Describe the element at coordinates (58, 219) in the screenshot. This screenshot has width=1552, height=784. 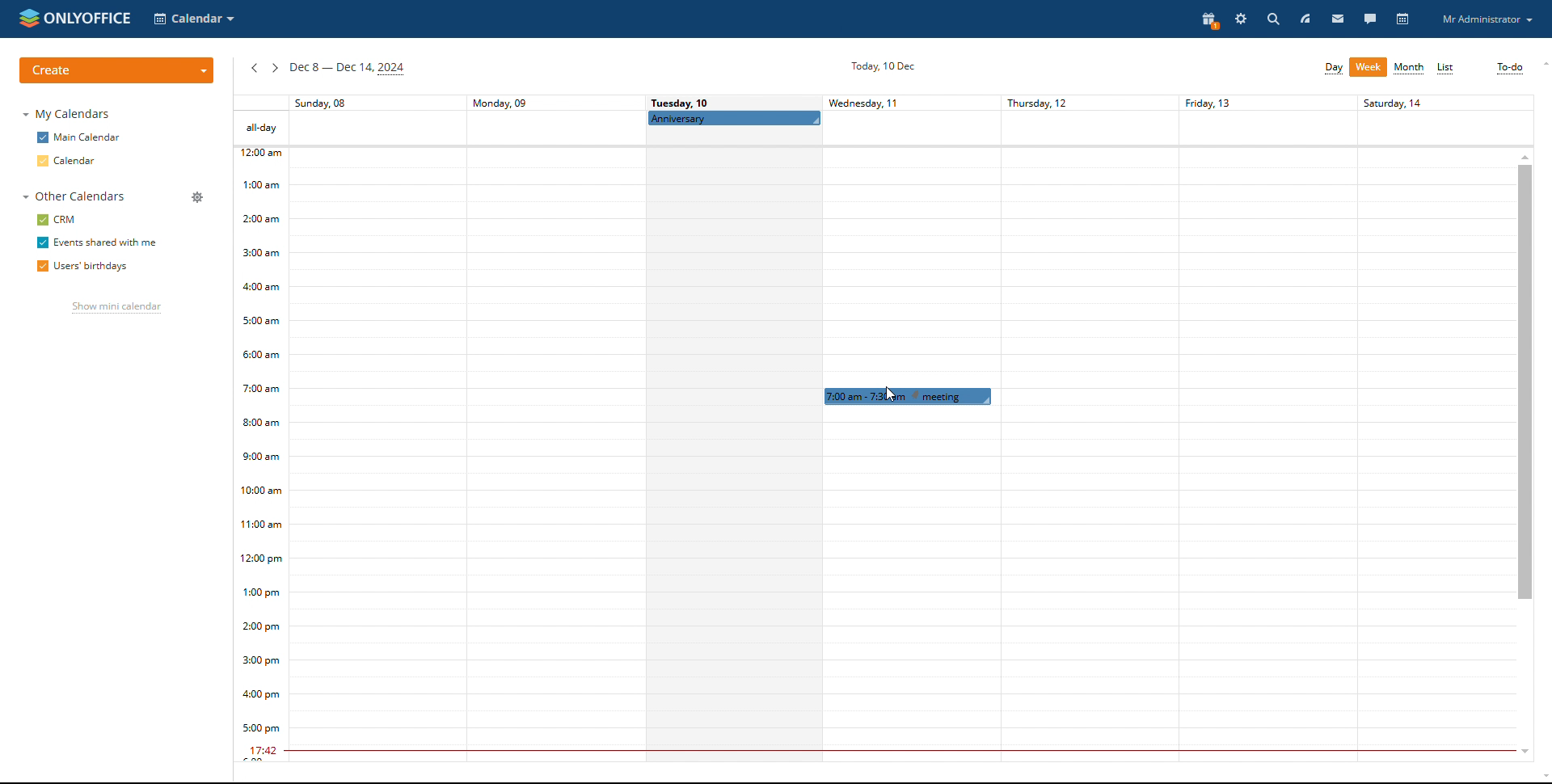
I see `crm` at that location.